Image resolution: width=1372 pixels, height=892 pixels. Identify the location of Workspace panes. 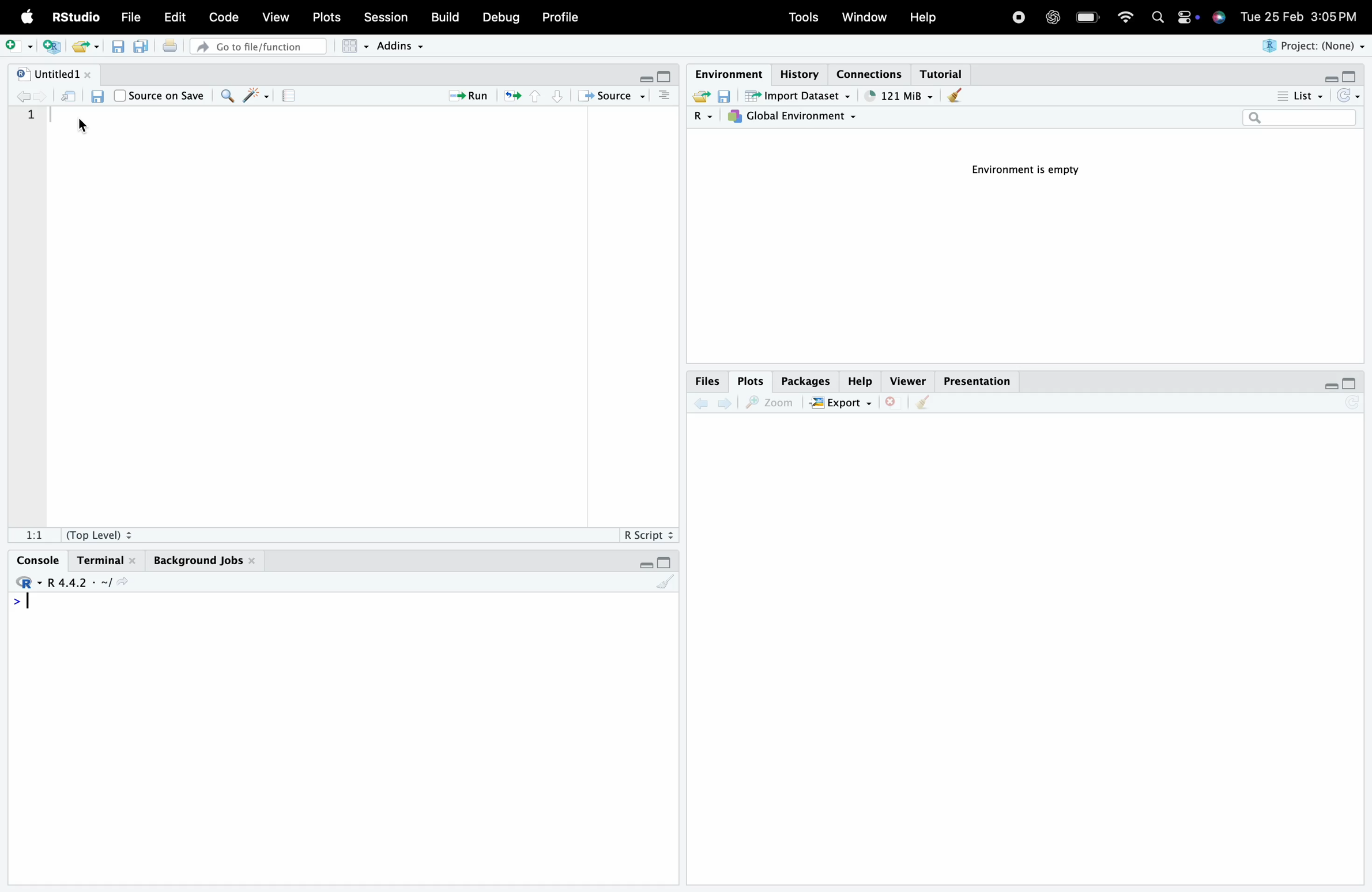
(352, 47).